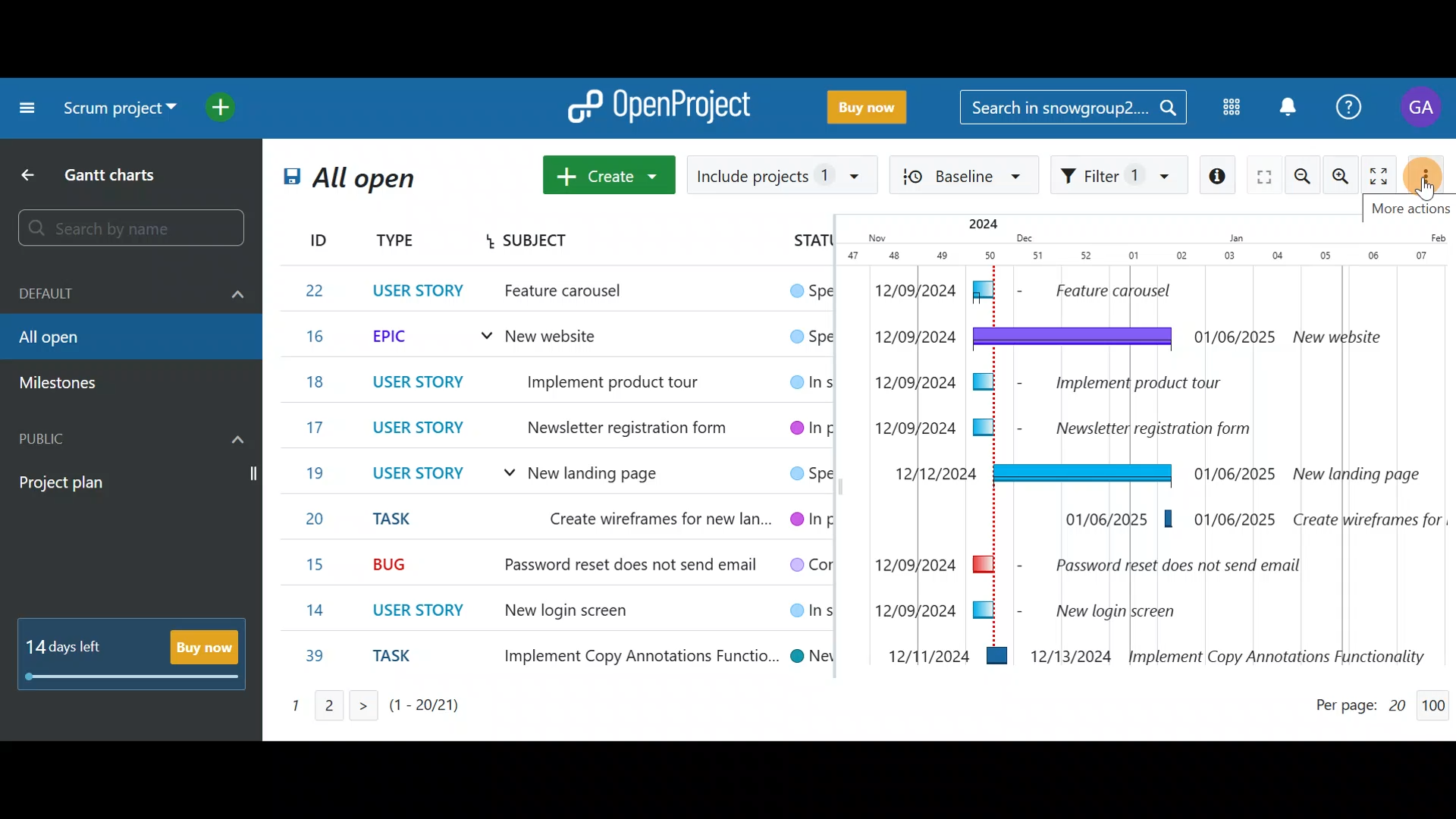  What do you see at coordinates (315, 657) in the screenshot?
I see `39` at bounding box center [315, 657].